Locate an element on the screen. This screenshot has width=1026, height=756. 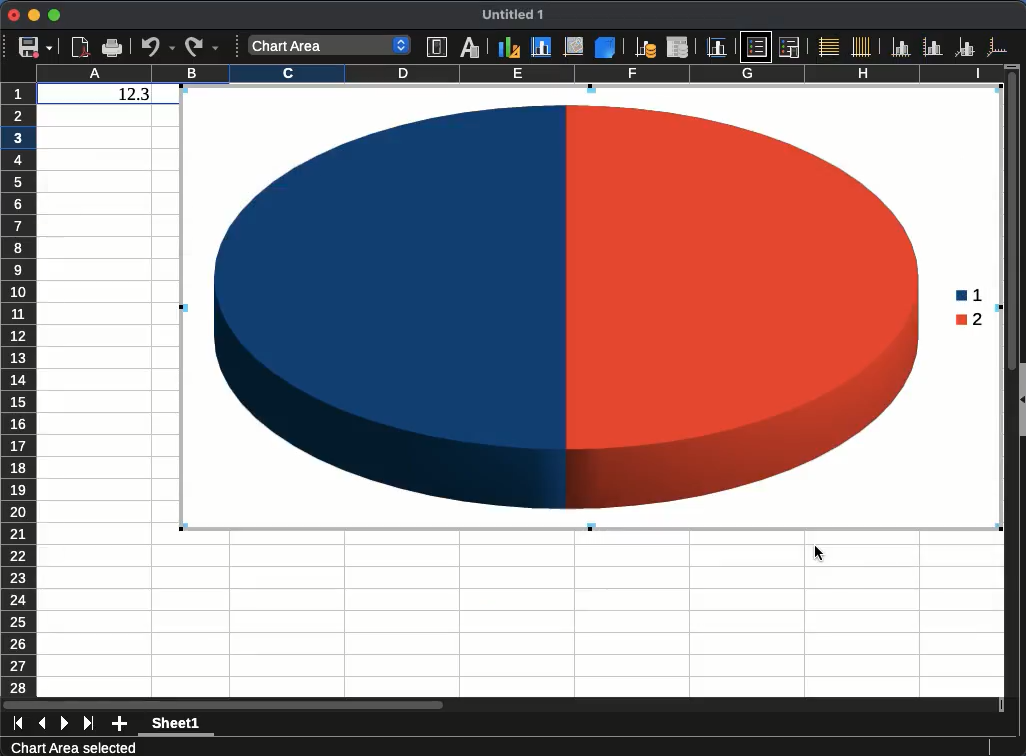
Y axis is located at coordinates (933, 46).